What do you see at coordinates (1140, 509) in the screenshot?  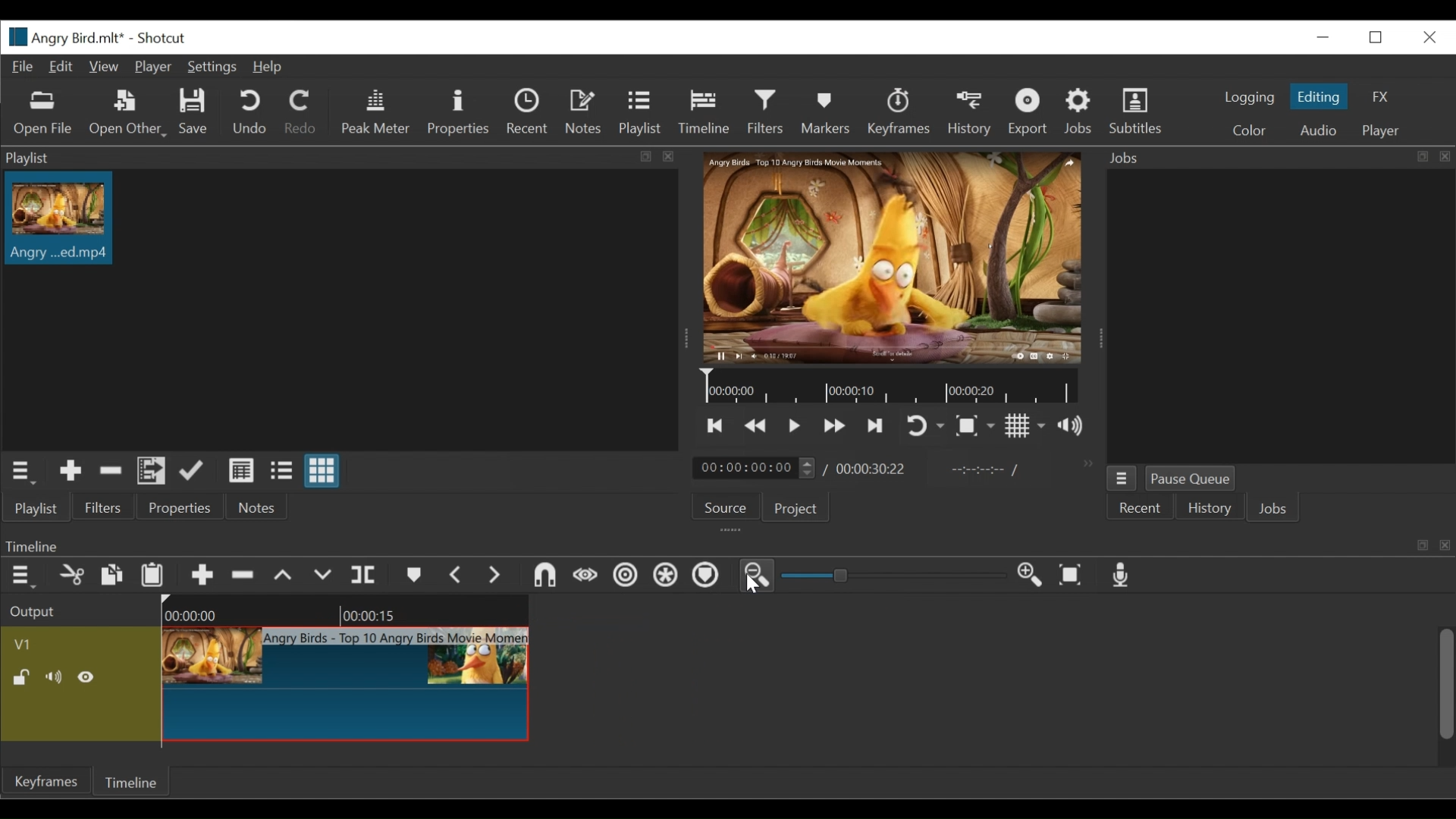 I see `Recent` at bounding box center [1140, 509].